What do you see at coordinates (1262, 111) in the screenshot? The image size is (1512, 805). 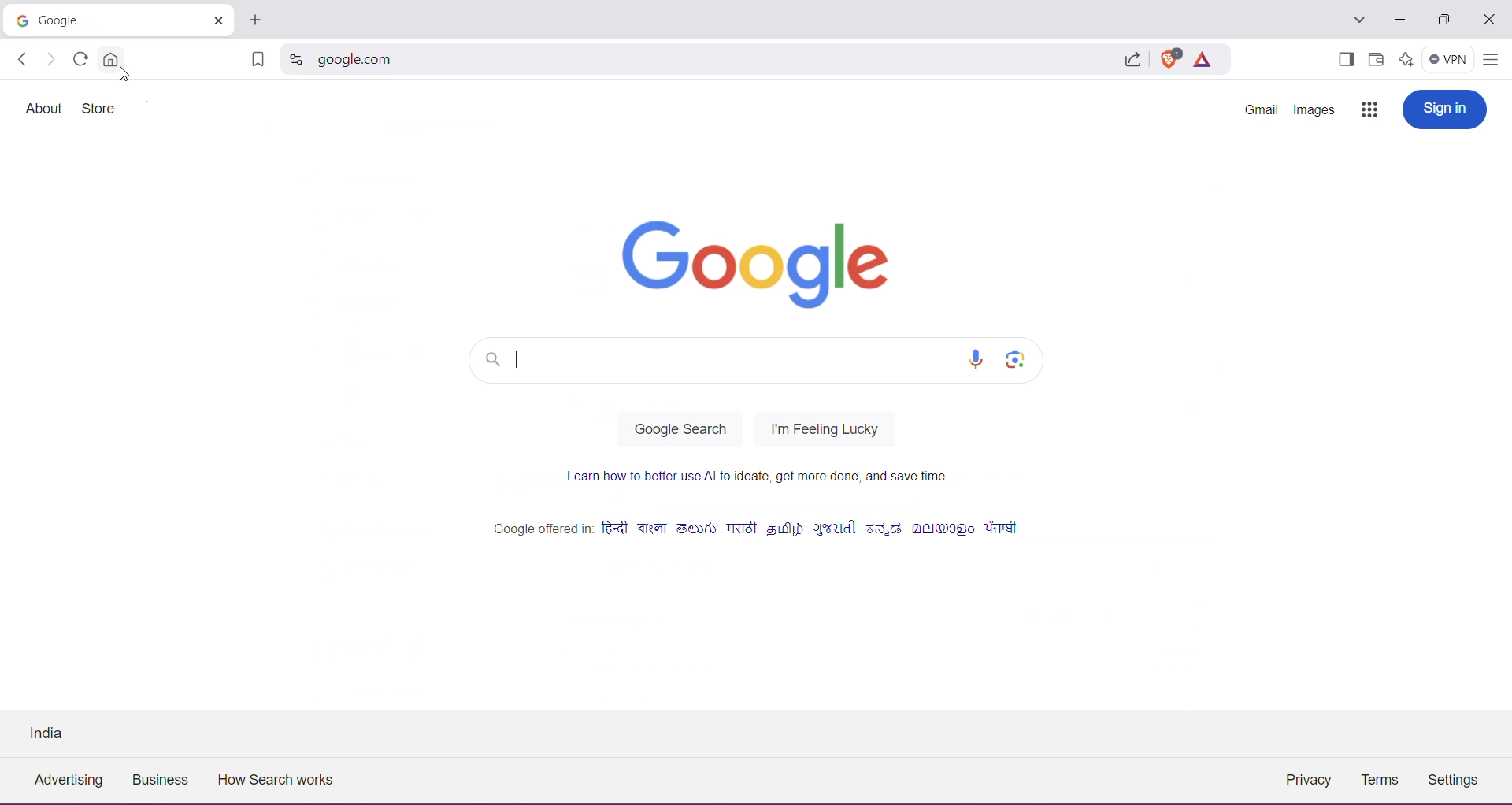 I see `Gmail` at bounding box center [1262, 111].